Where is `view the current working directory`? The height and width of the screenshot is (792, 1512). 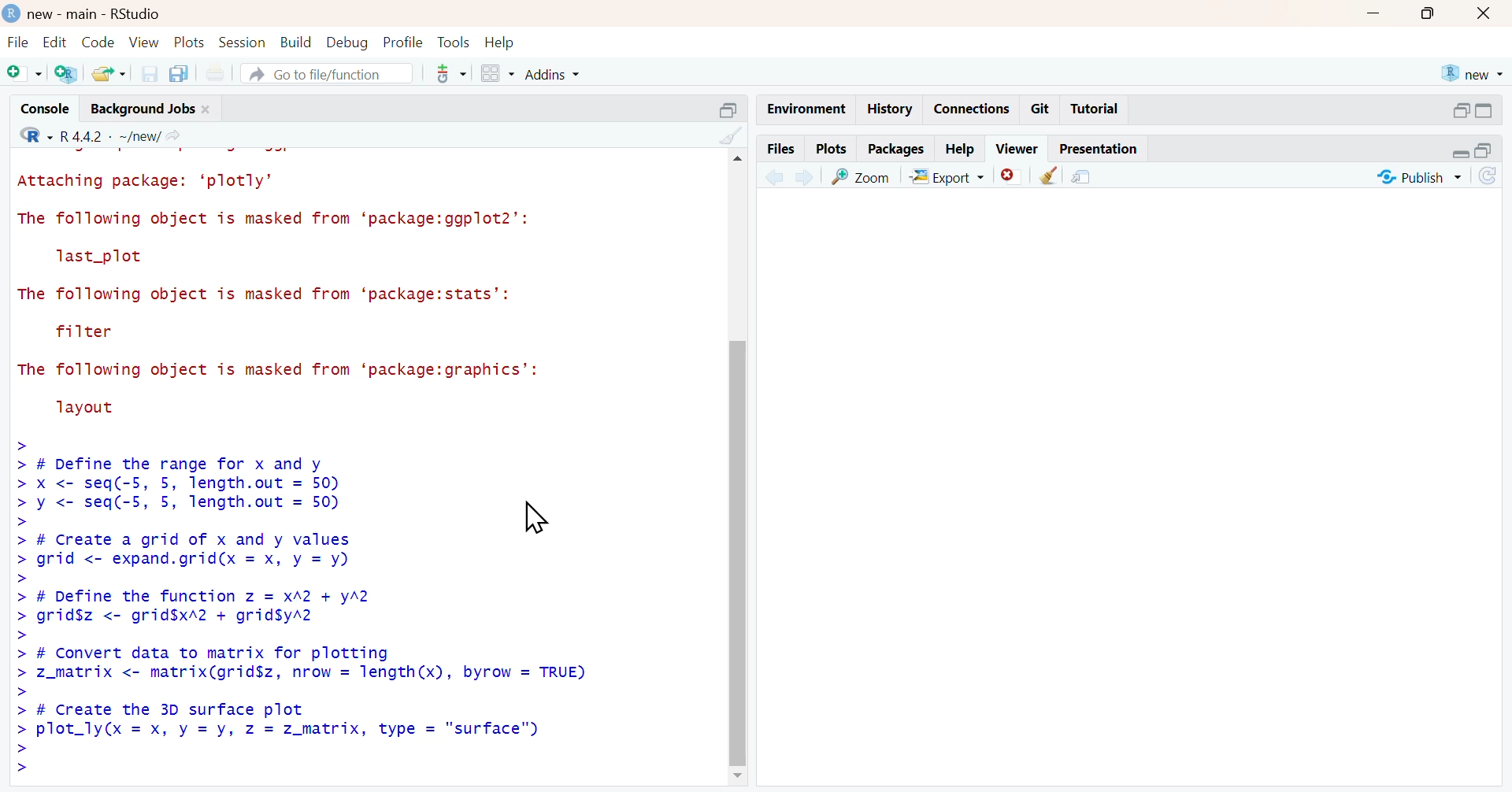
view the current working directory is located at coordinates (178, 135).